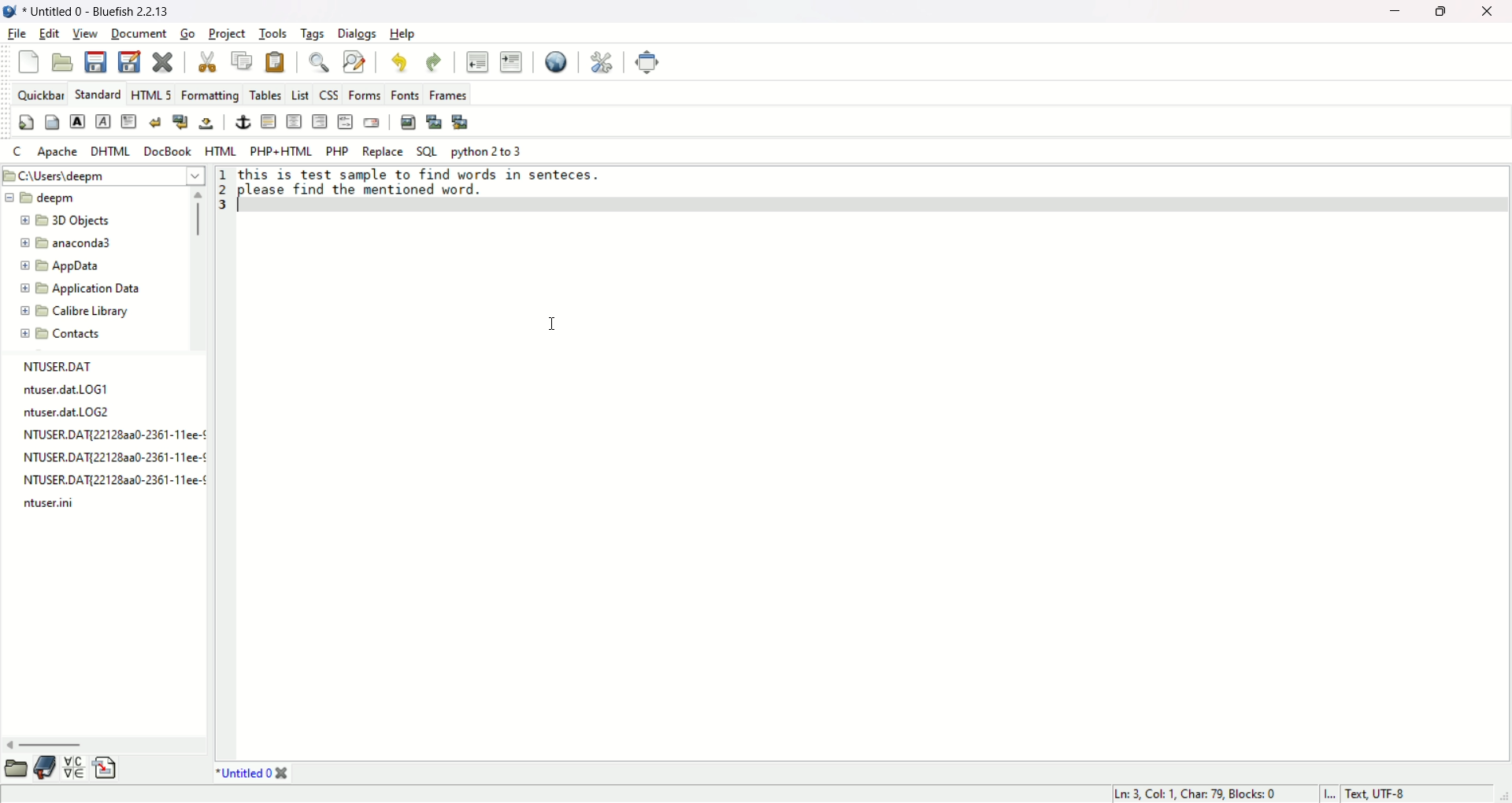 The image size is (1512, 803). What do you see at coordinates (207, 61) in the screenshot?
I see `cut` at bounding box center [207, 61].